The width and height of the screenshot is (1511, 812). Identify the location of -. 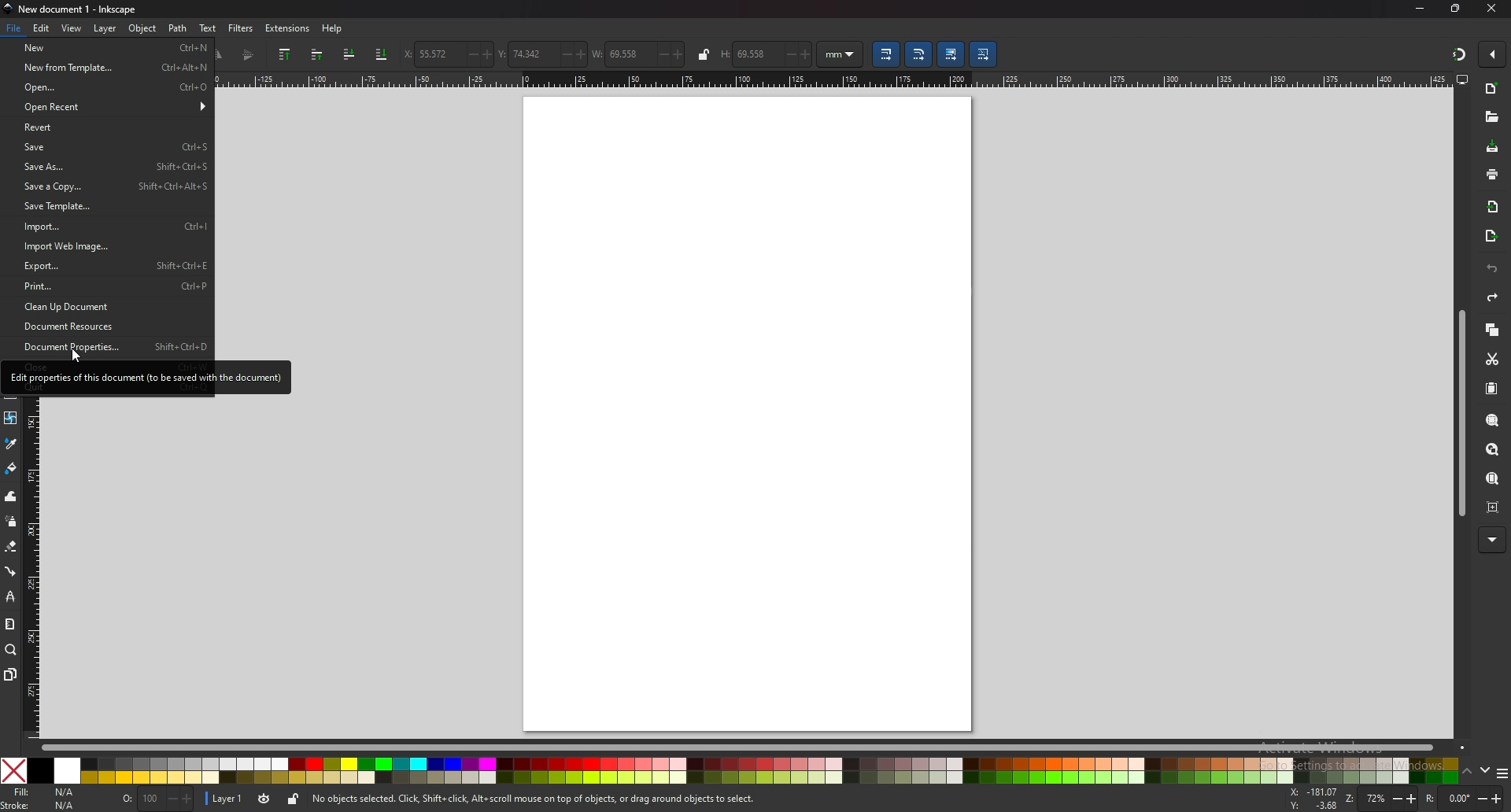
(1478, 798).